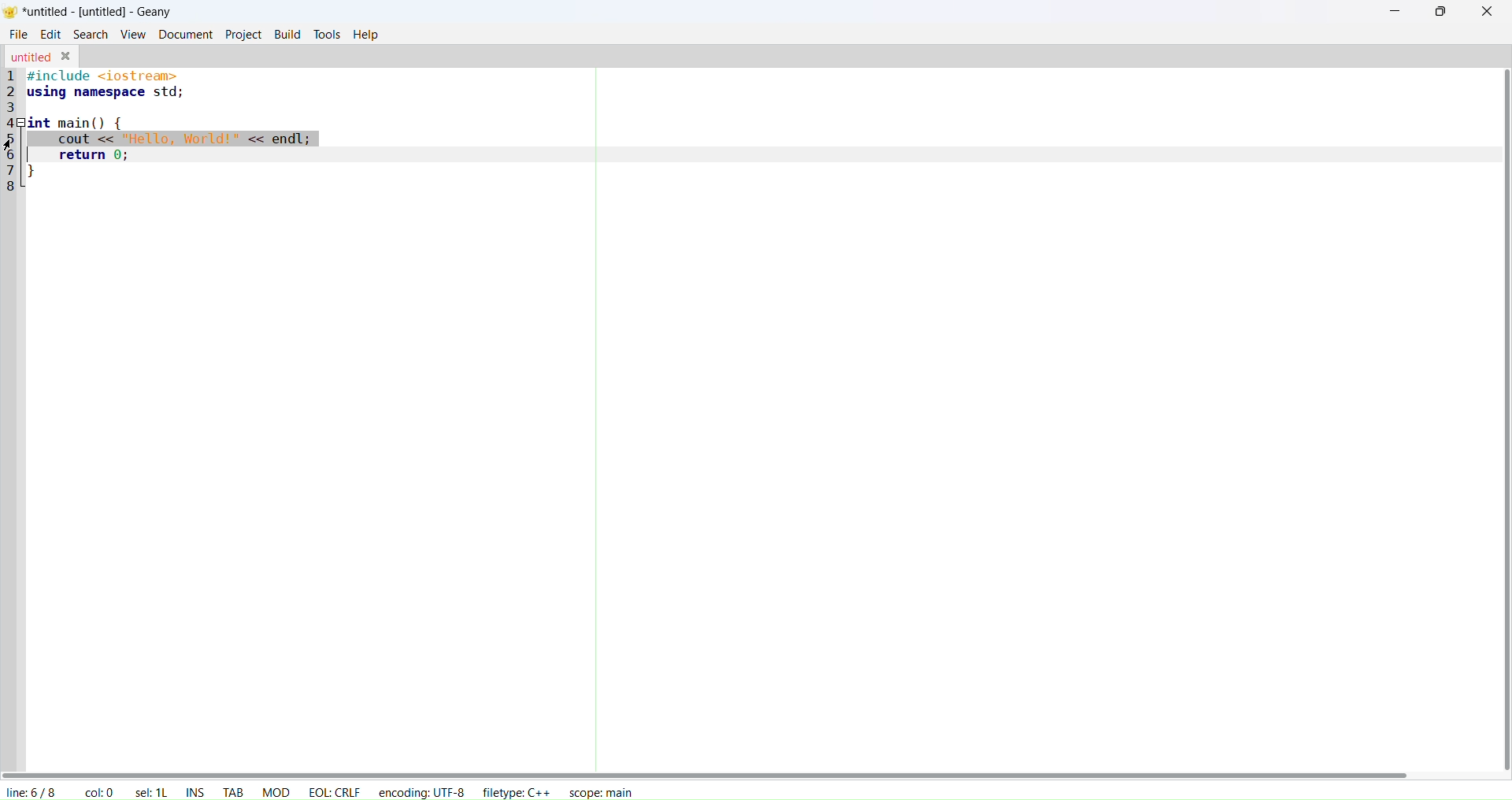 The width and height of the screenshot is (1512, 800). What do you see at coordinates (91, 34) in the screenshot?
I see `search` at bounding box center [91, 34].